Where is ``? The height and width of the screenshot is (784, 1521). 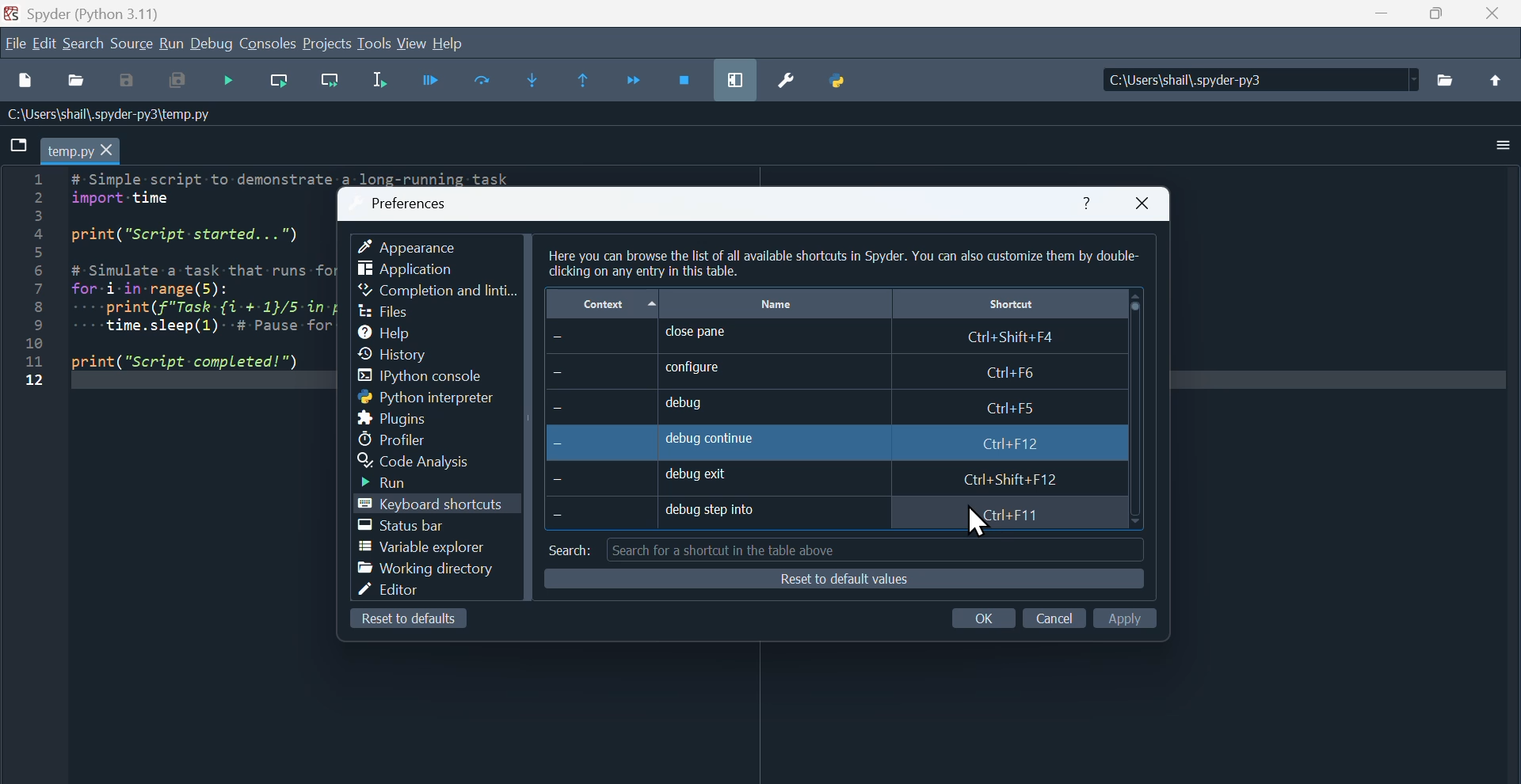  is located at coordinates (1054, 615).